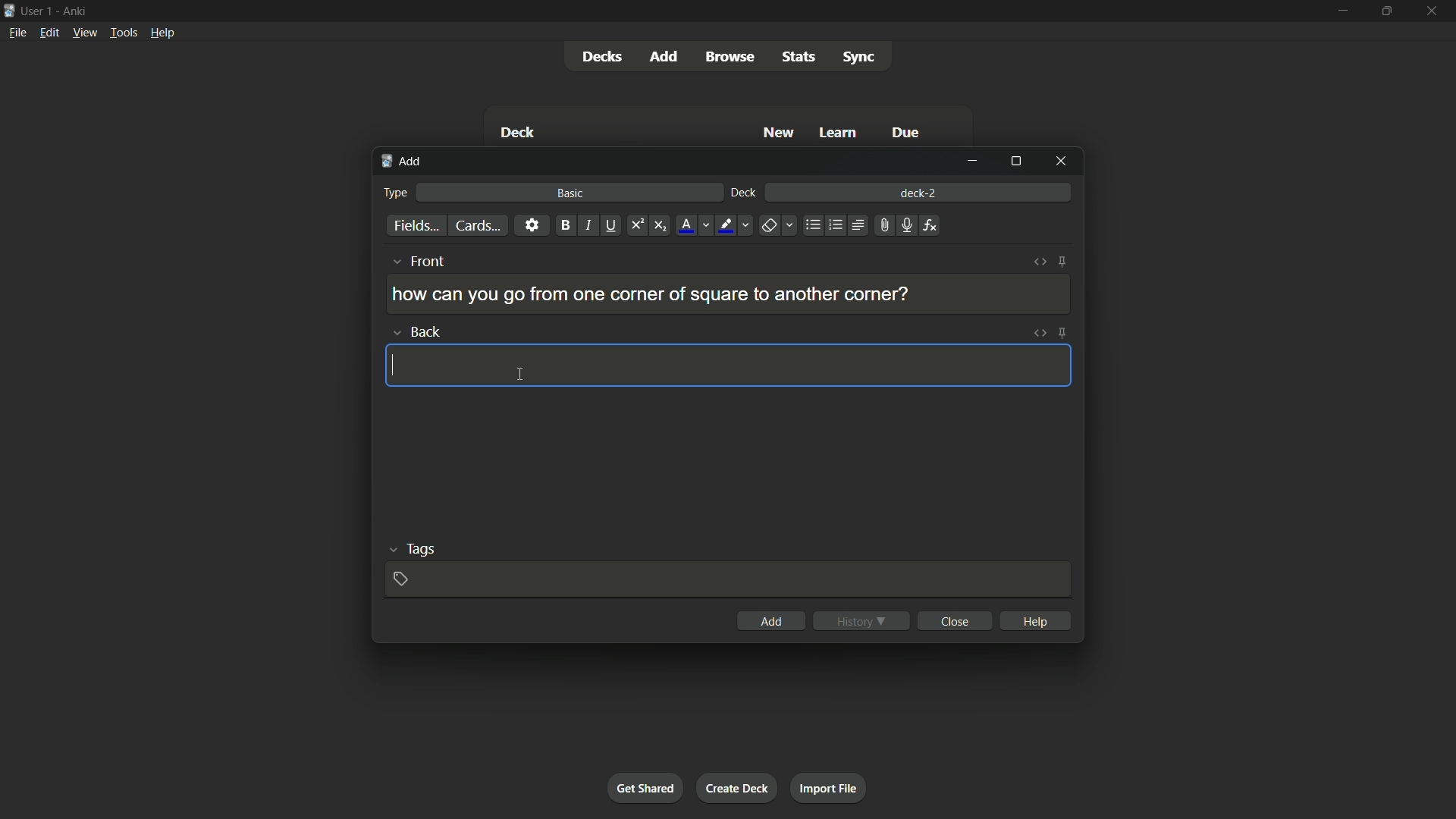 The width and height of the screenshot is (1456, 819). What do you see at coordinates (564, 225) in the screenshot?
I see `bold` at bounding box center [564, 225].